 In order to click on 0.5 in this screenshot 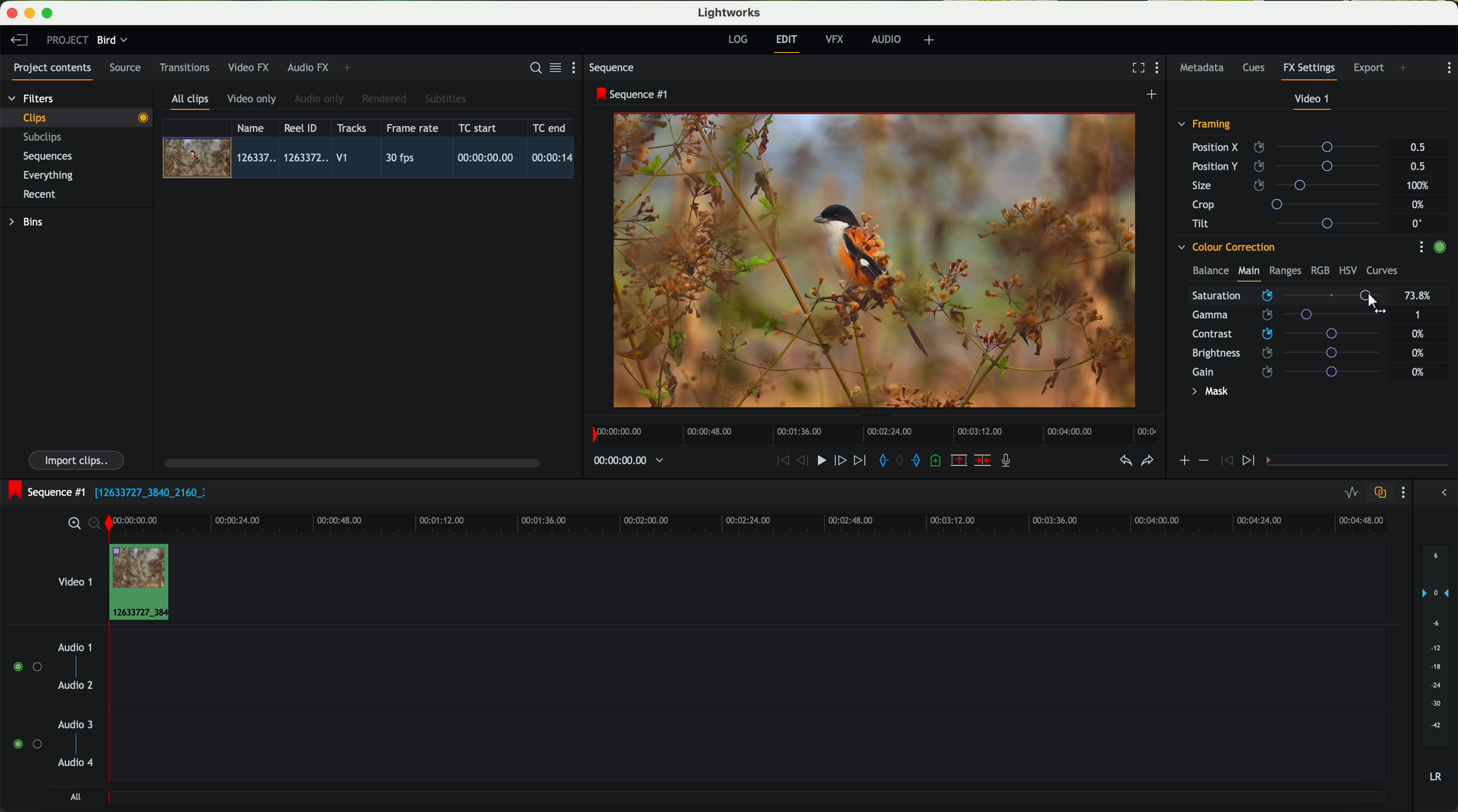, I will do `click(1418, 148)`.